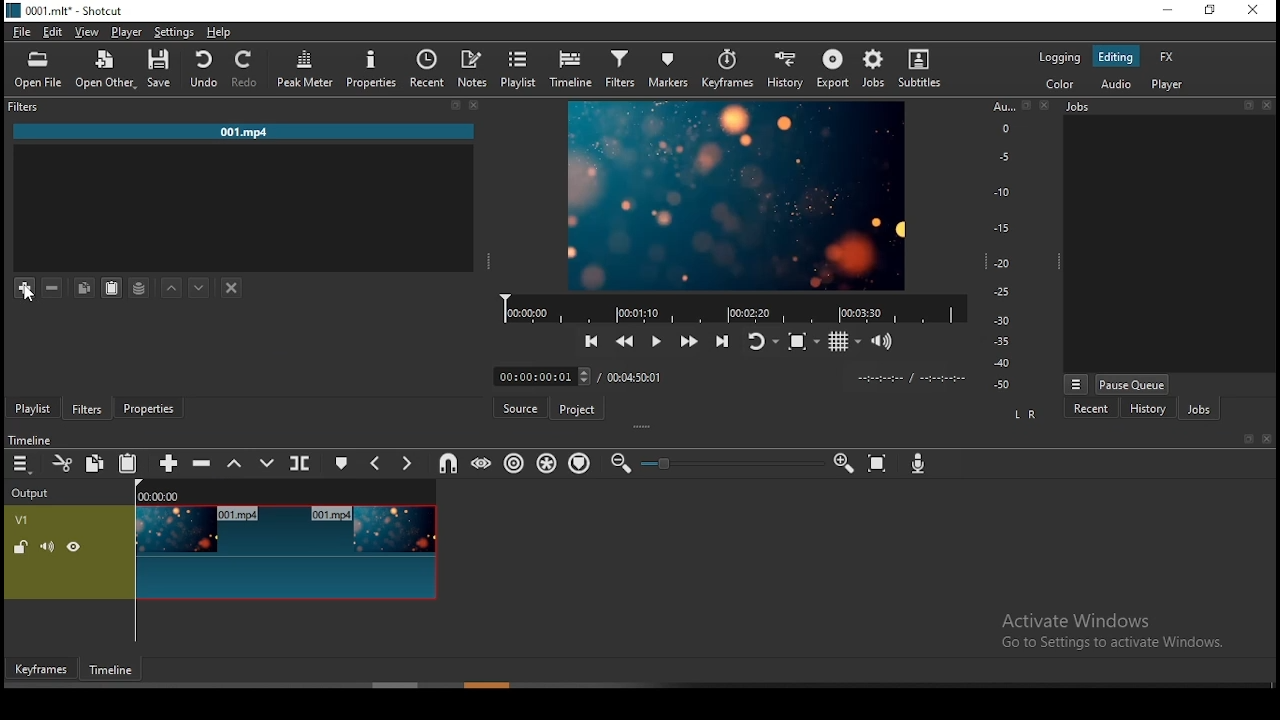 Image resolution: width=1280 pixels, height=720 pixels. I want to click on keyframes, so click(41, 669).